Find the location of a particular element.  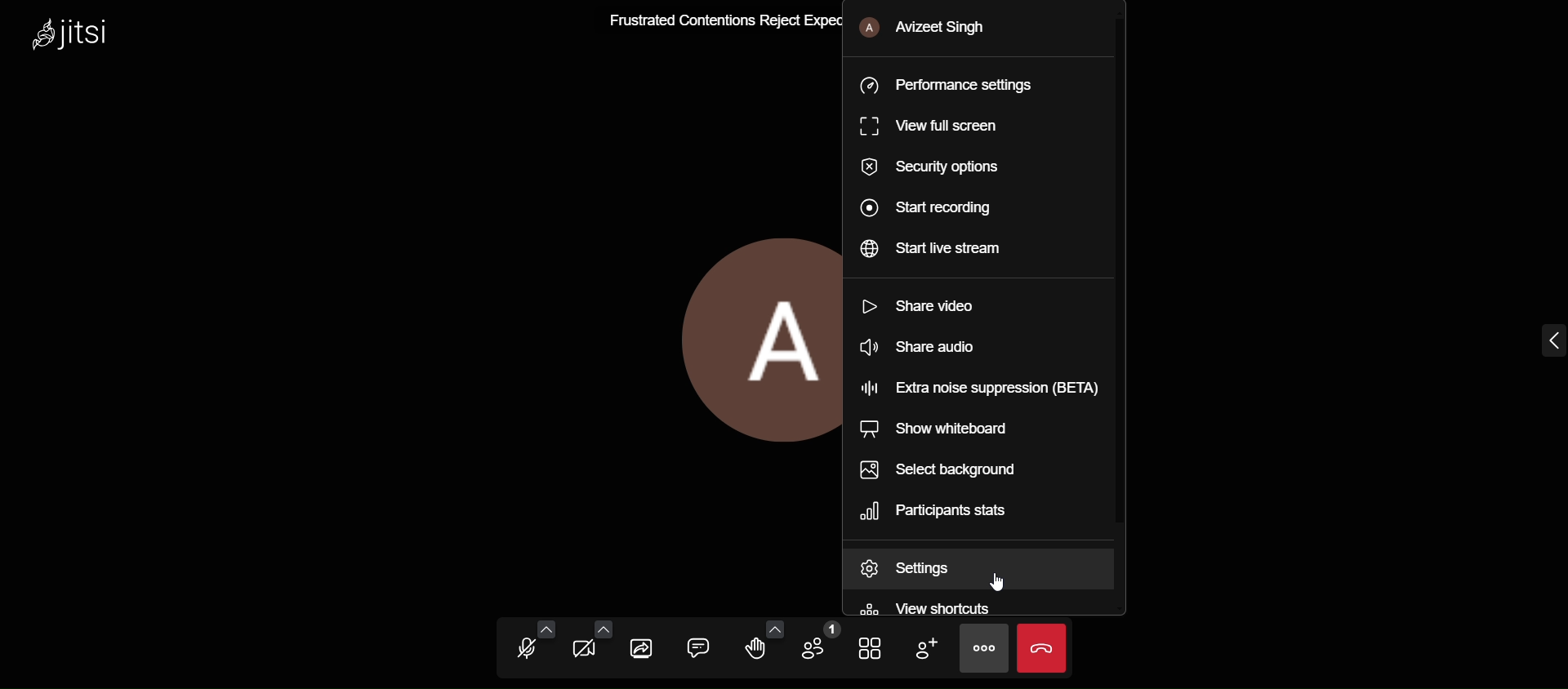

show whiteboard is located at coordinates (958, 433).